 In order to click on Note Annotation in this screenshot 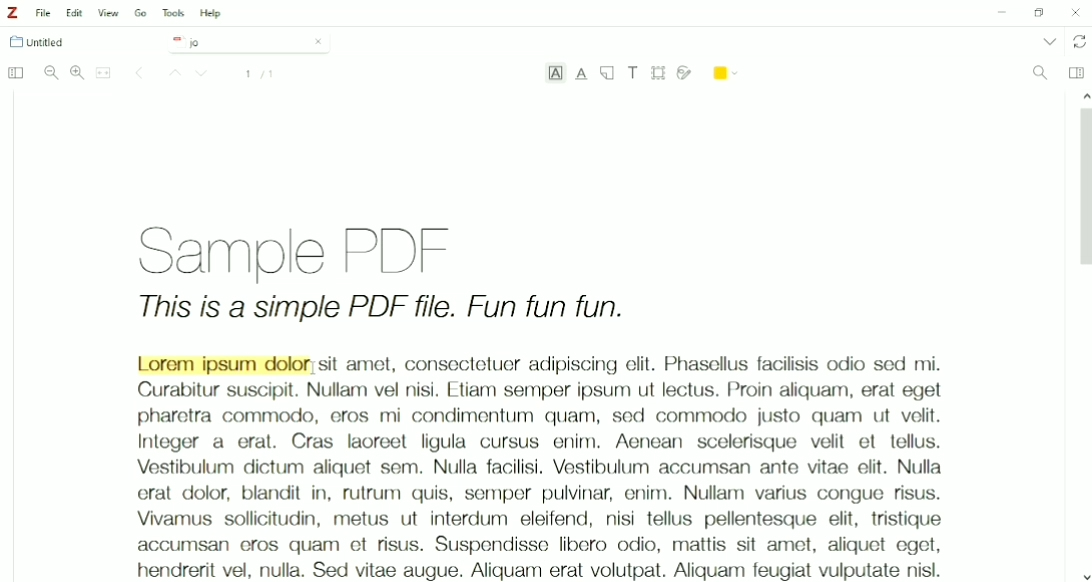, I will do `click(607, 74)`.